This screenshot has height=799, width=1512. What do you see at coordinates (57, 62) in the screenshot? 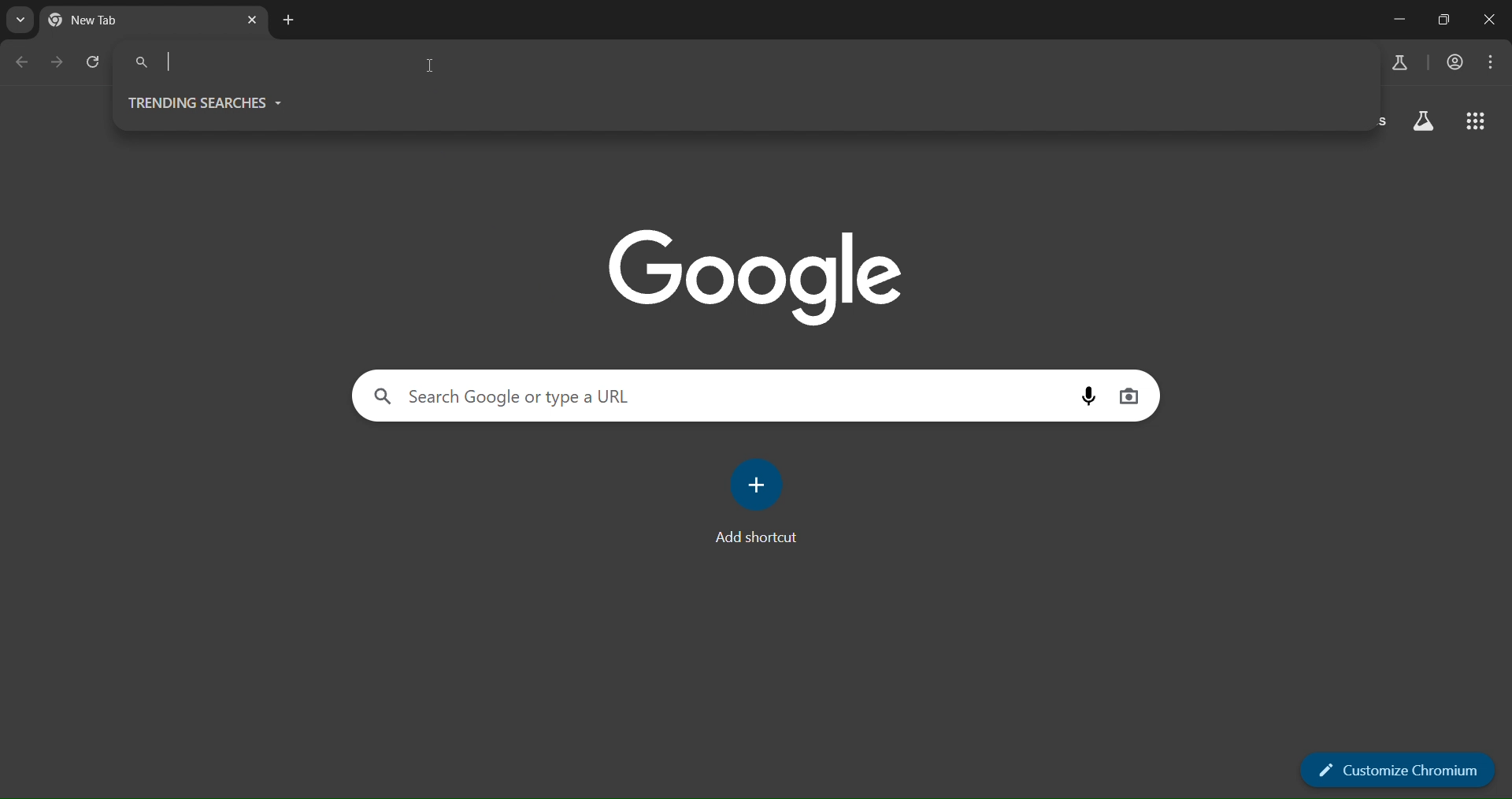
I see `go forward one page` at bounding box center [57, 62].